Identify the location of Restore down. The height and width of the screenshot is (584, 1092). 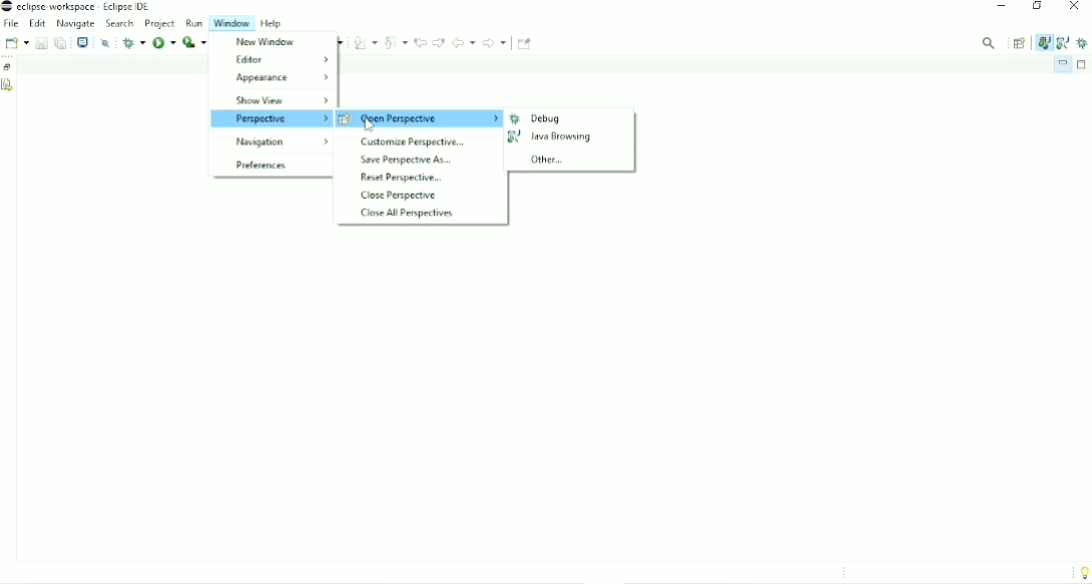
(1036, 8).